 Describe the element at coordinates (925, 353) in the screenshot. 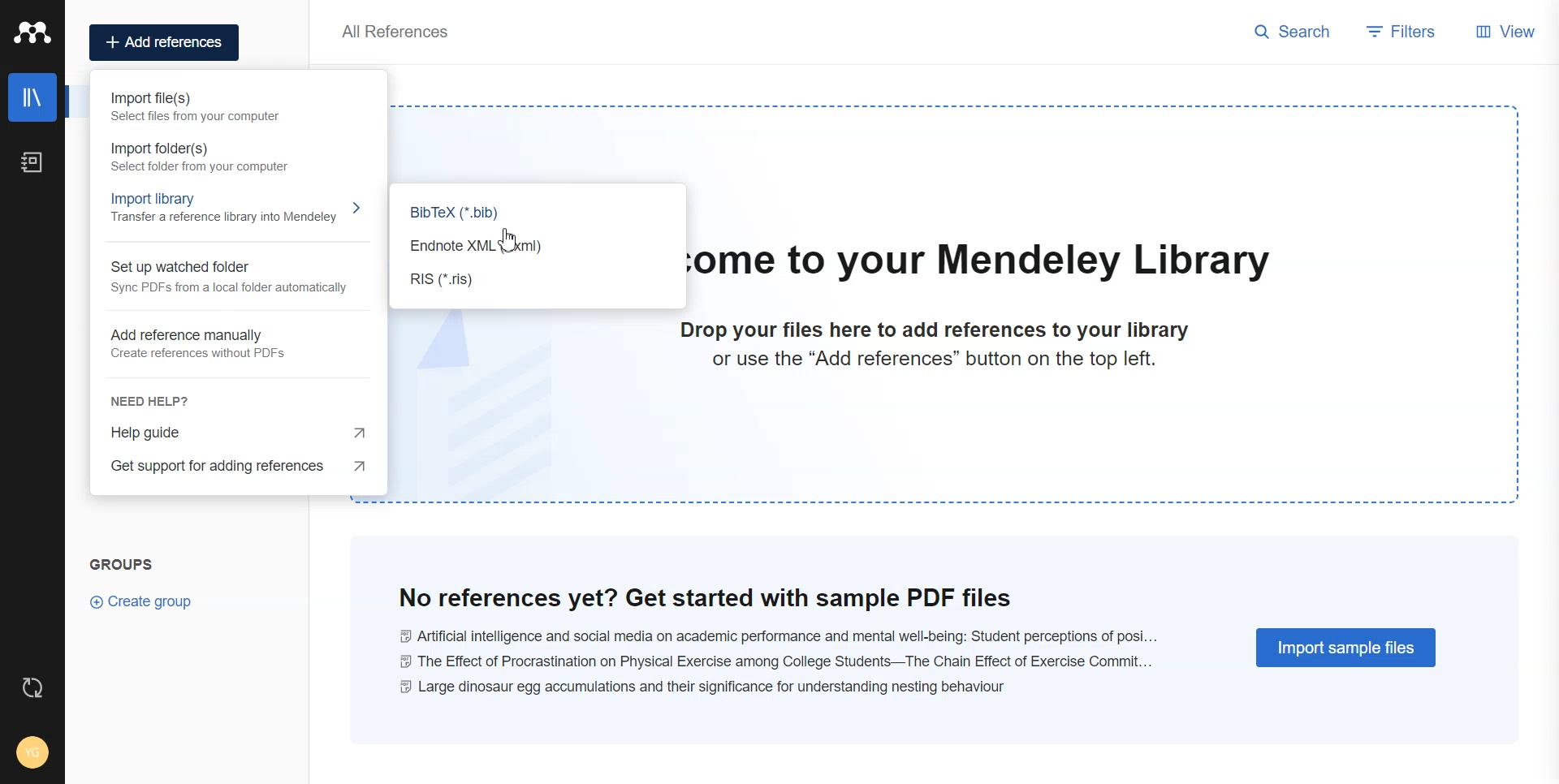

I see `Drop your files here to add references to your library
or use the “Add references” button on the top left.` at that location.